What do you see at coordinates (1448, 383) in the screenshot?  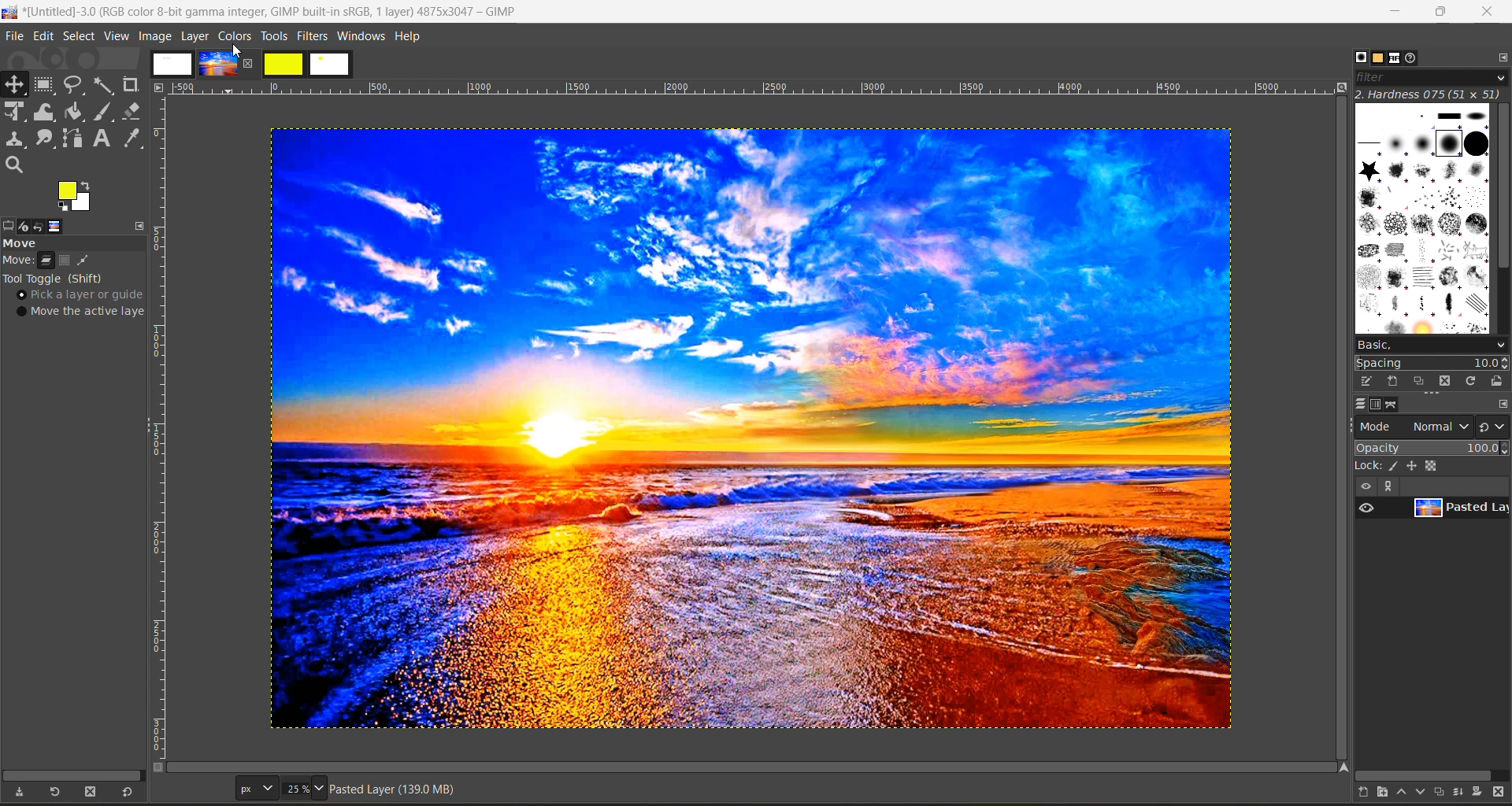 I see `delete brush` at bounding box center [1448, 383].